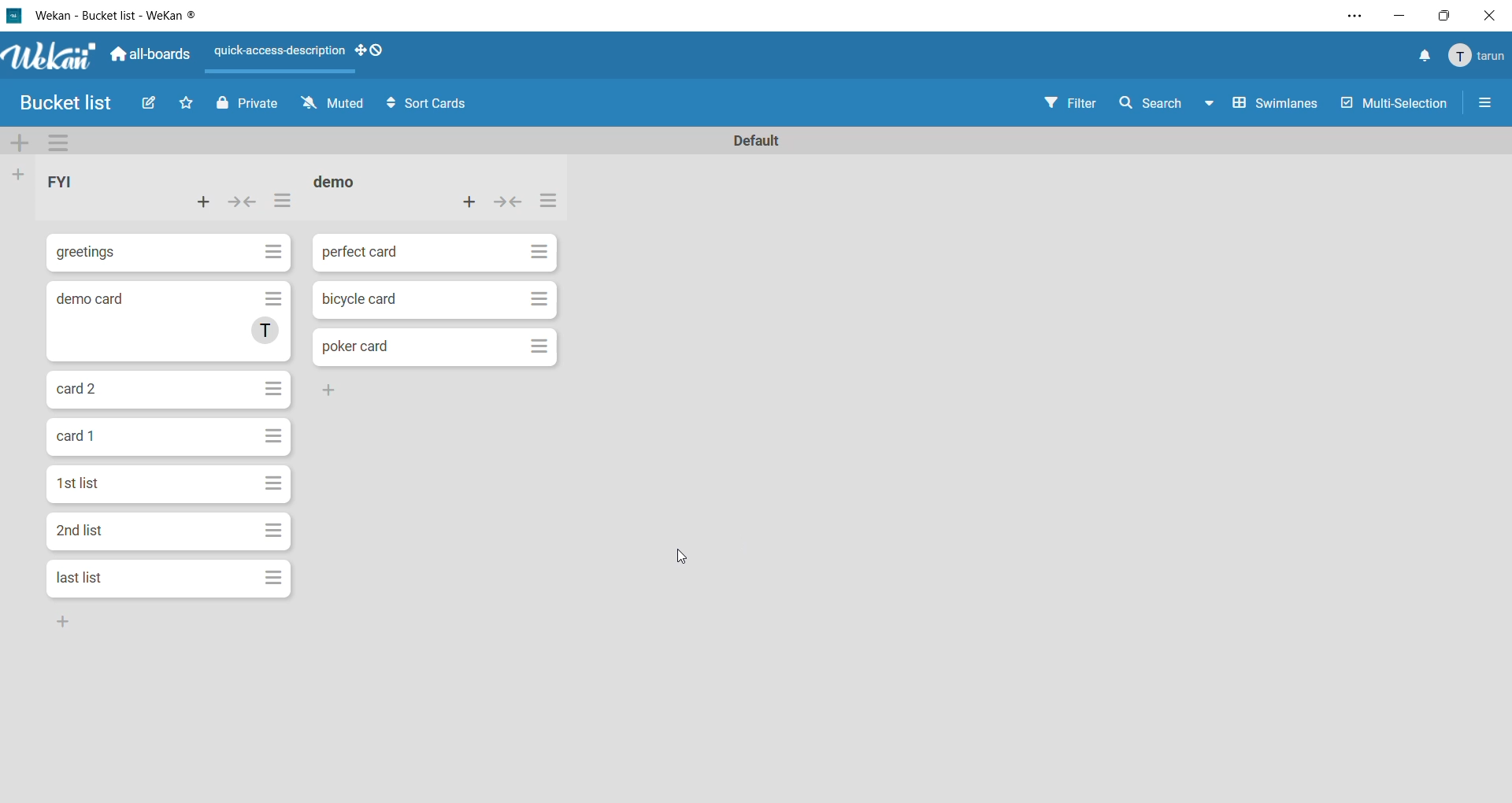 The height and width of the screenshot is (803, 1512). I want to click on 1st list, so click(168, 483).